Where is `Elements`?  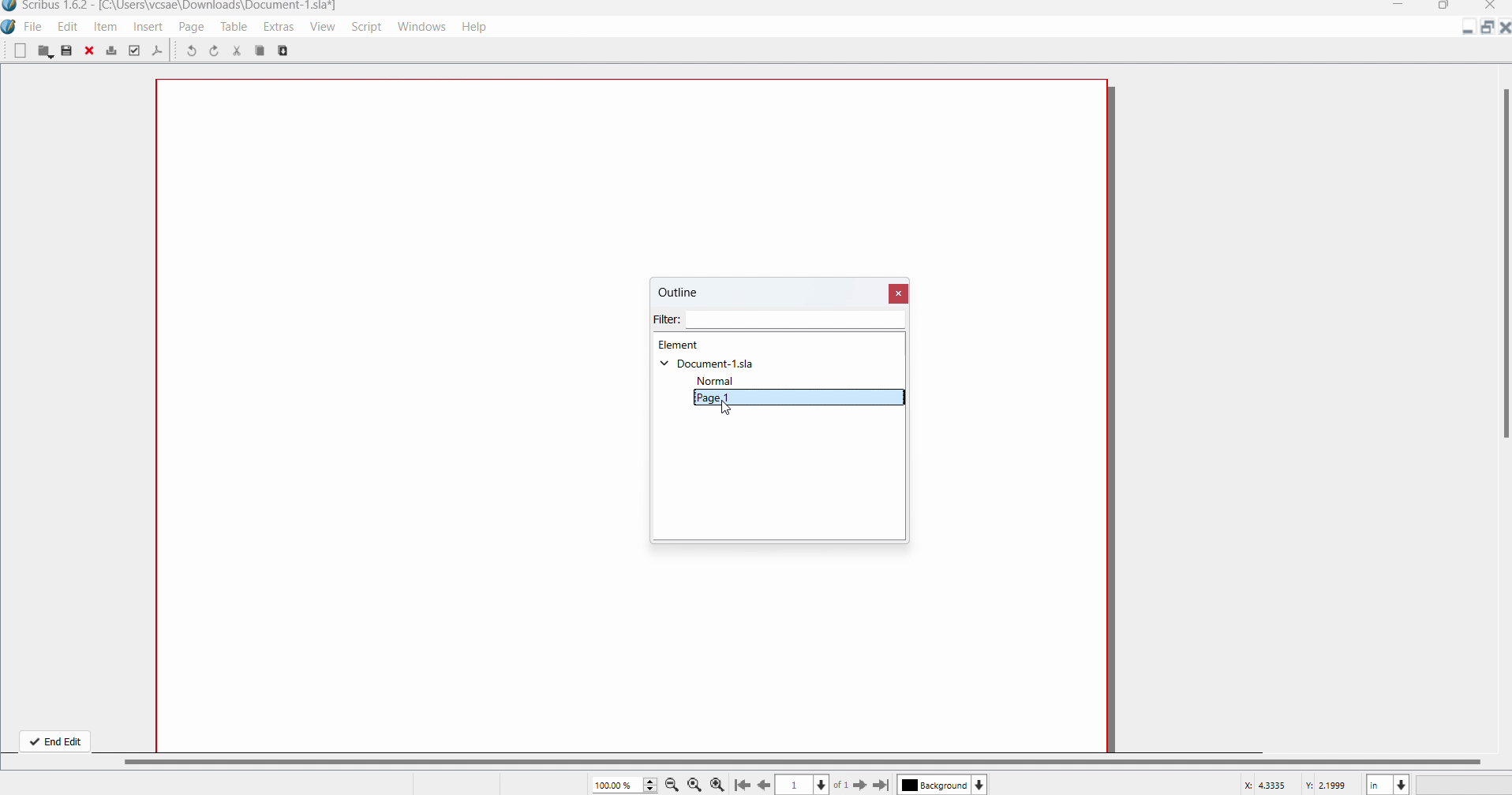 Elements is located at coordinates (681, 345).